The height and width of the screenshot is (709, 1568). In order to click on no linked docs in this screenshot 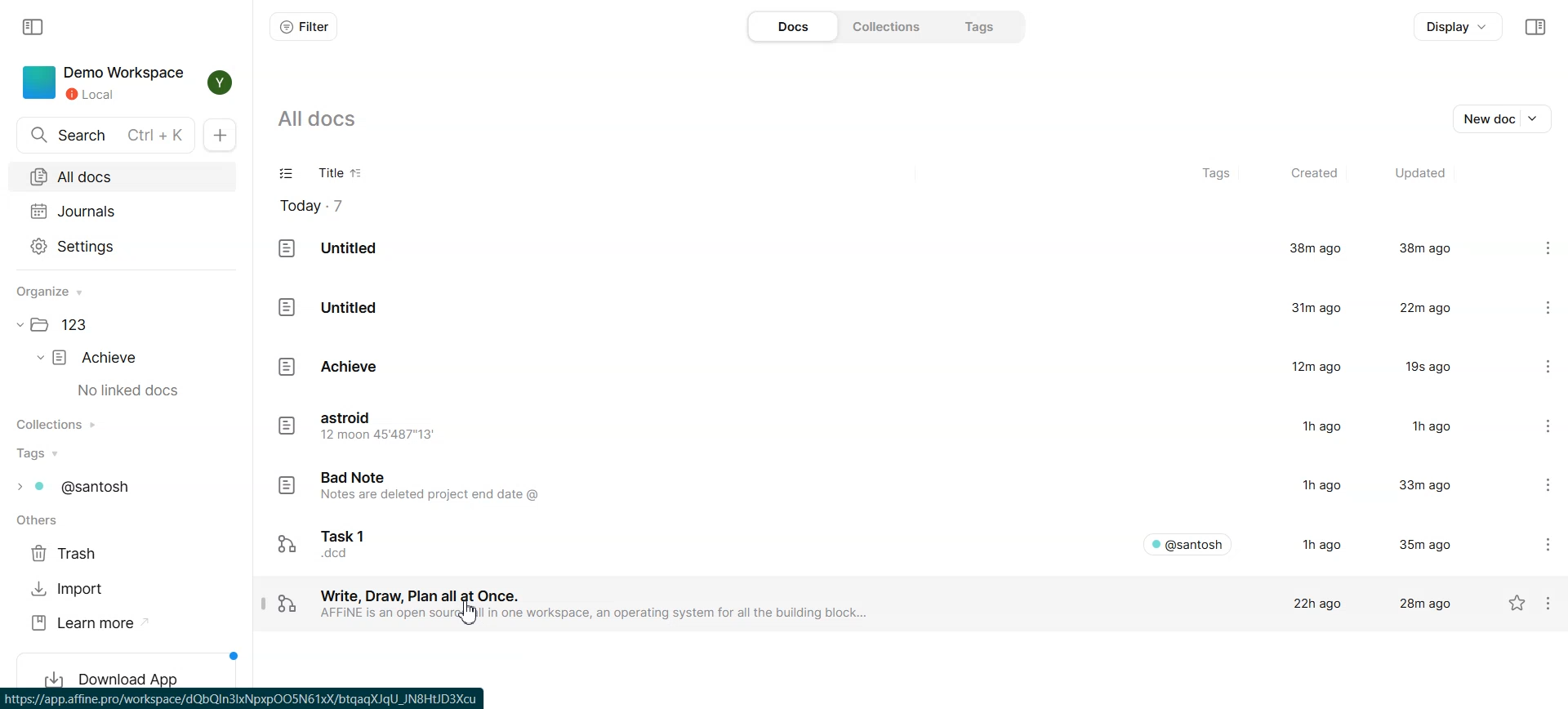, I will do `click(130, 391)`.